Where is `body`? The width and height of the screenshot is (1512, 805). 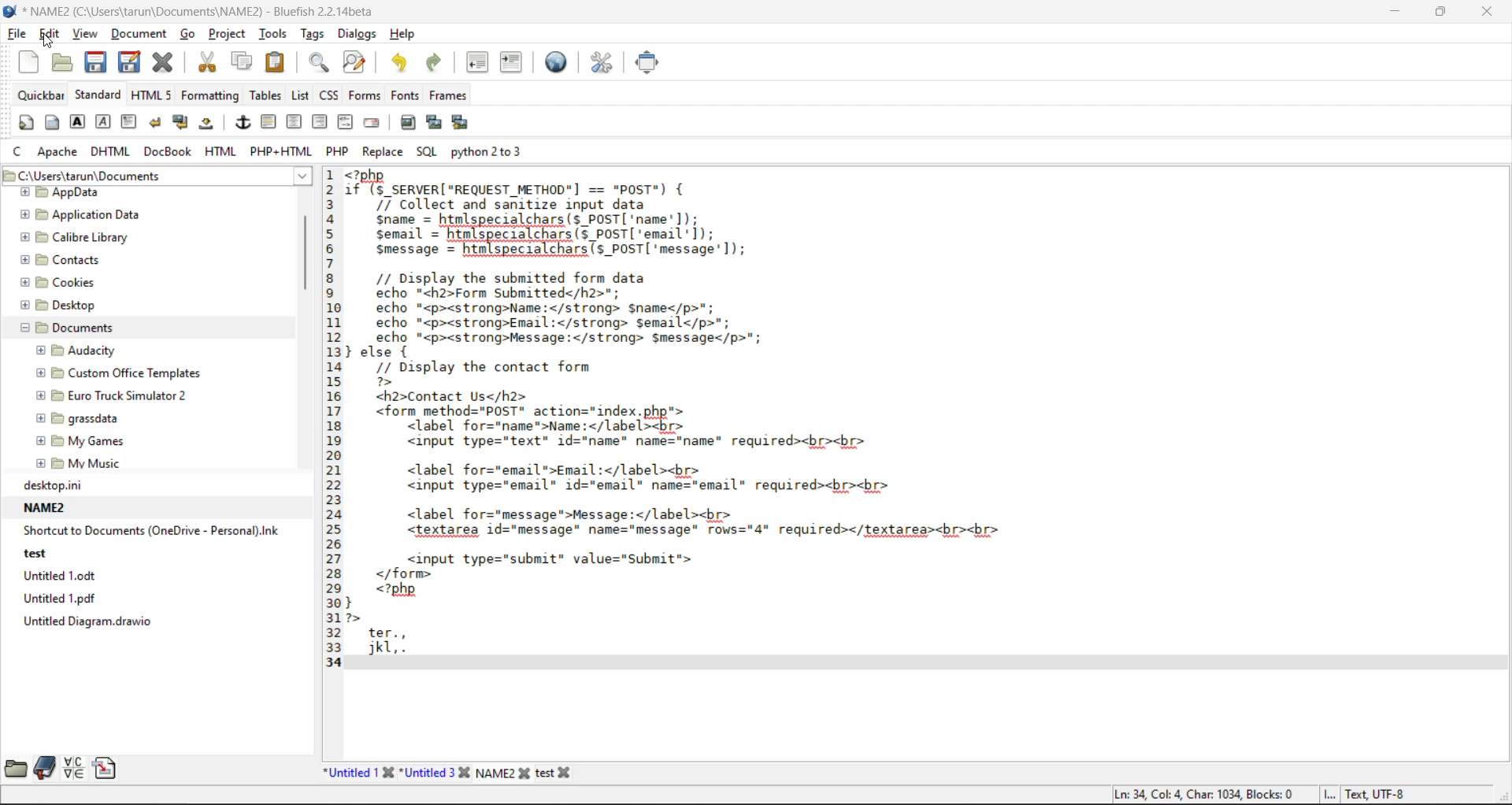 body is located at coordinates (54, 122).